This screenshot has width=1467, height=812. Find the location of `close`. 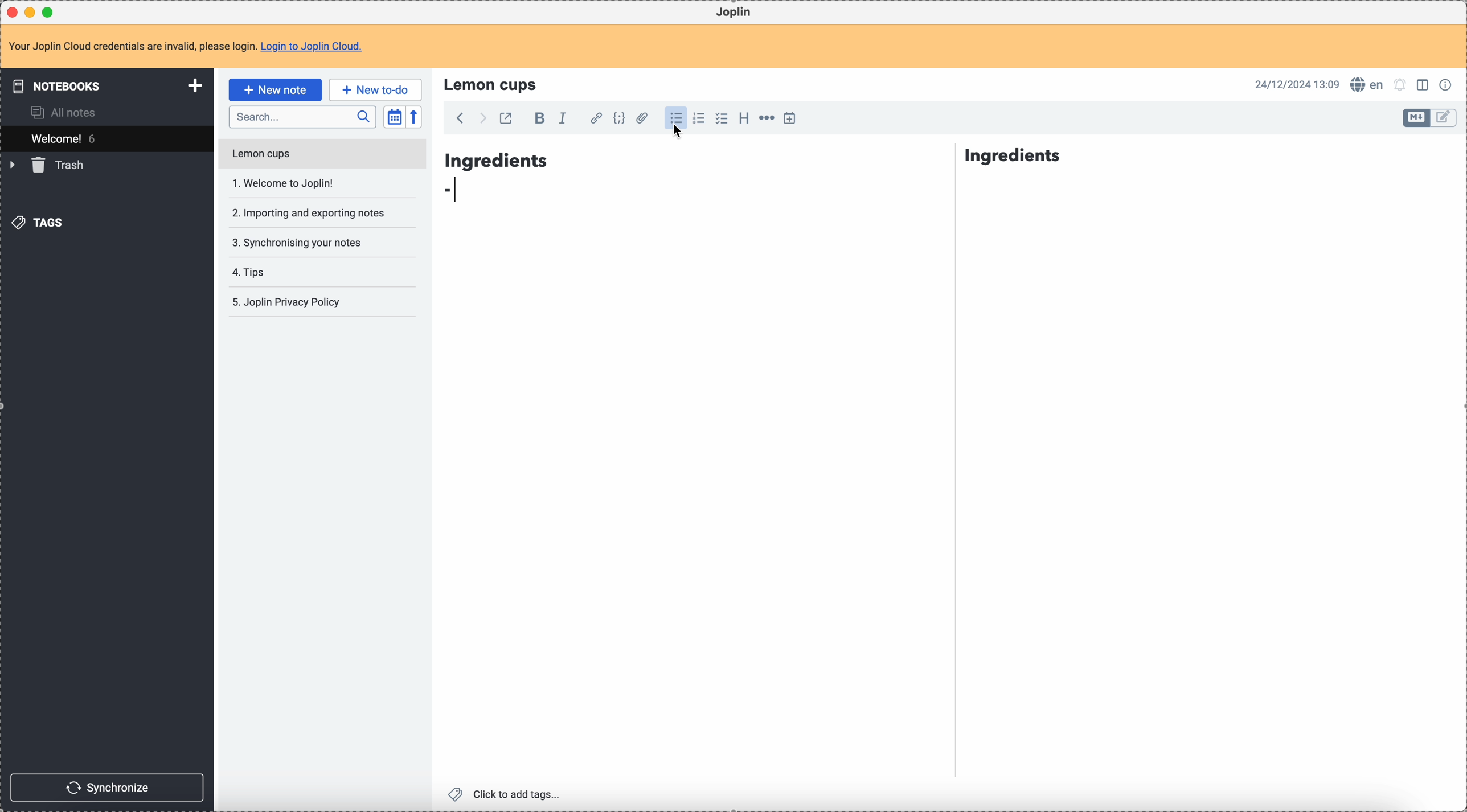

close is located at coordinates (14, 13).